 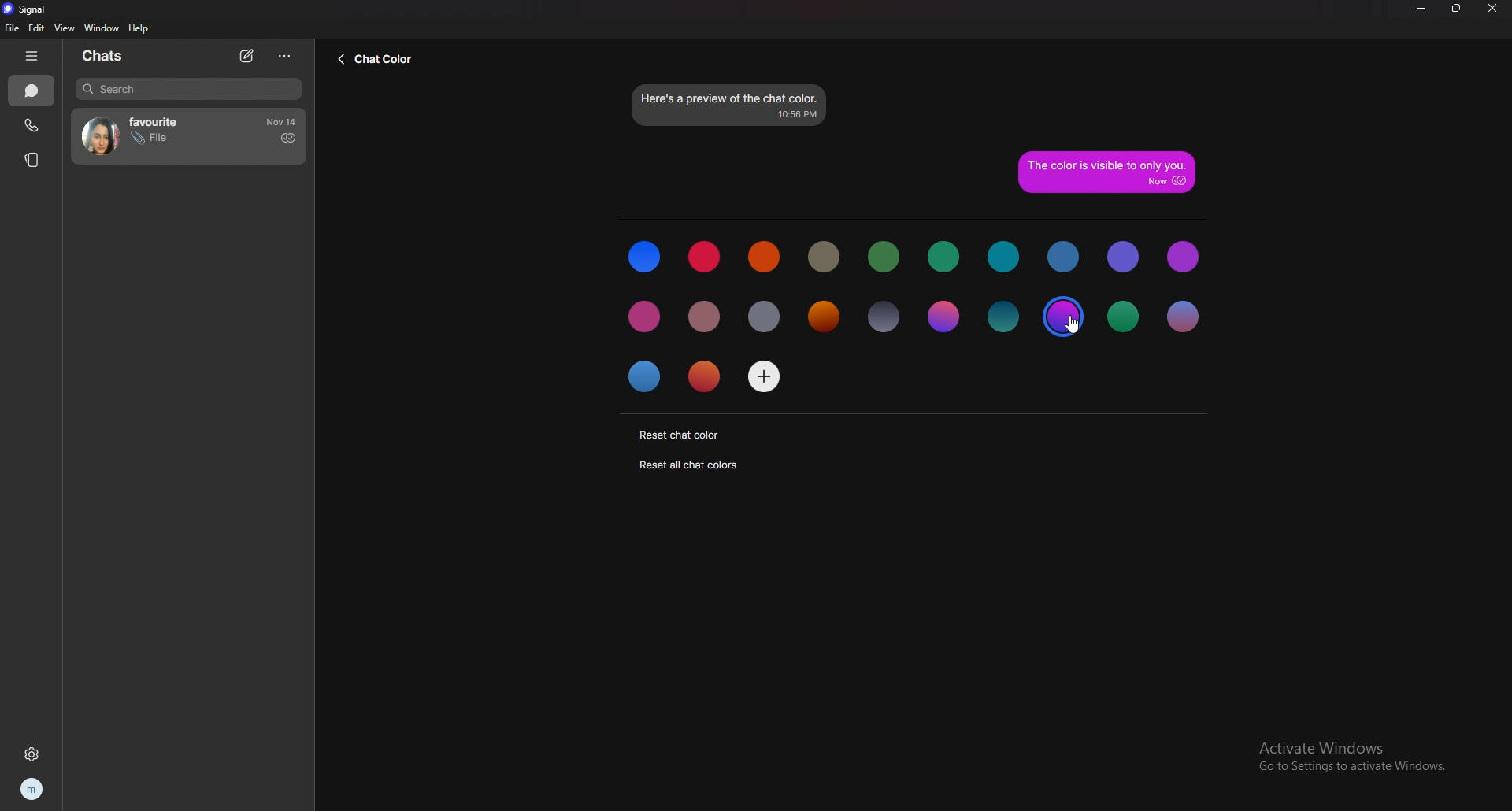 What do you see at coordinates (646, 316) in the screenshot?
I see `color` at bounding box center [646, 316].